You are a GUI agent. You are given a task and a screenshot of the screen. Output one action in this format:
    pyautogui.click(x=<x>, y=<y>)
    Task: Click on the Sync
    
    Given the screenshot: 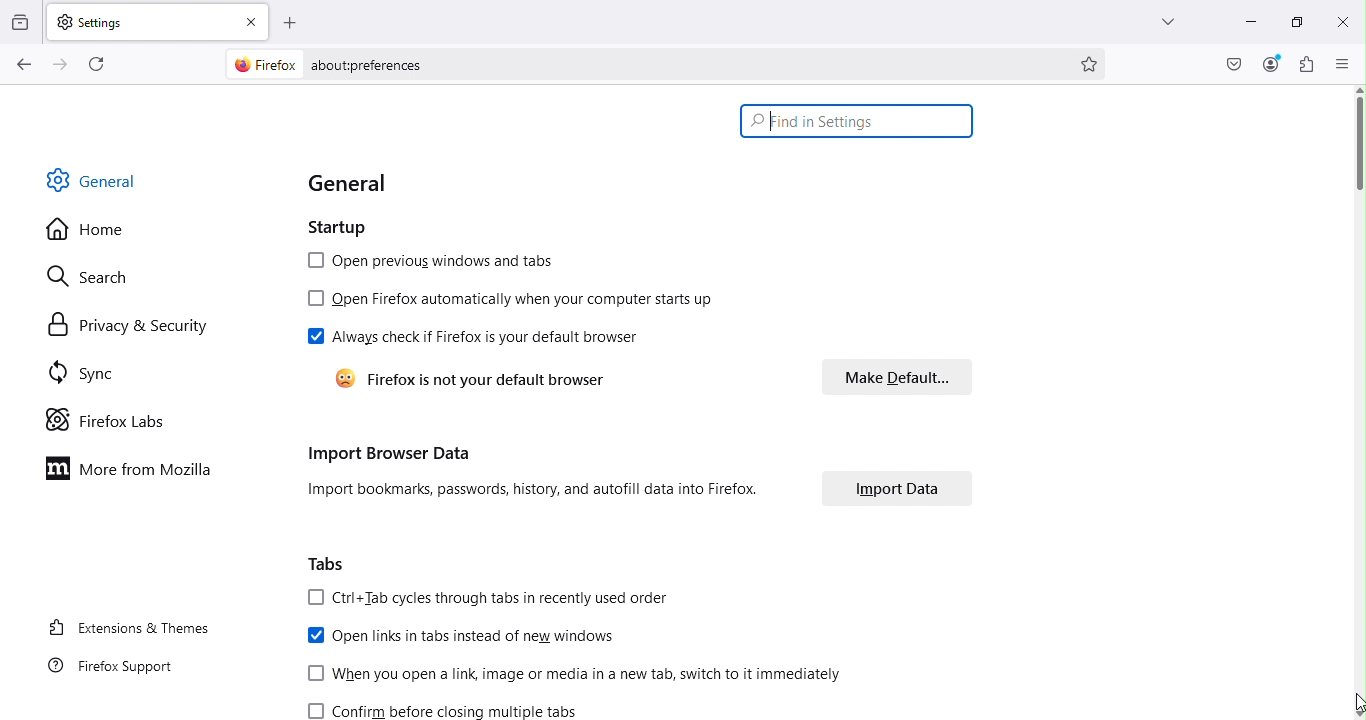 What is the action you would take?
    pyautogui.click(x=111, y=376)
    